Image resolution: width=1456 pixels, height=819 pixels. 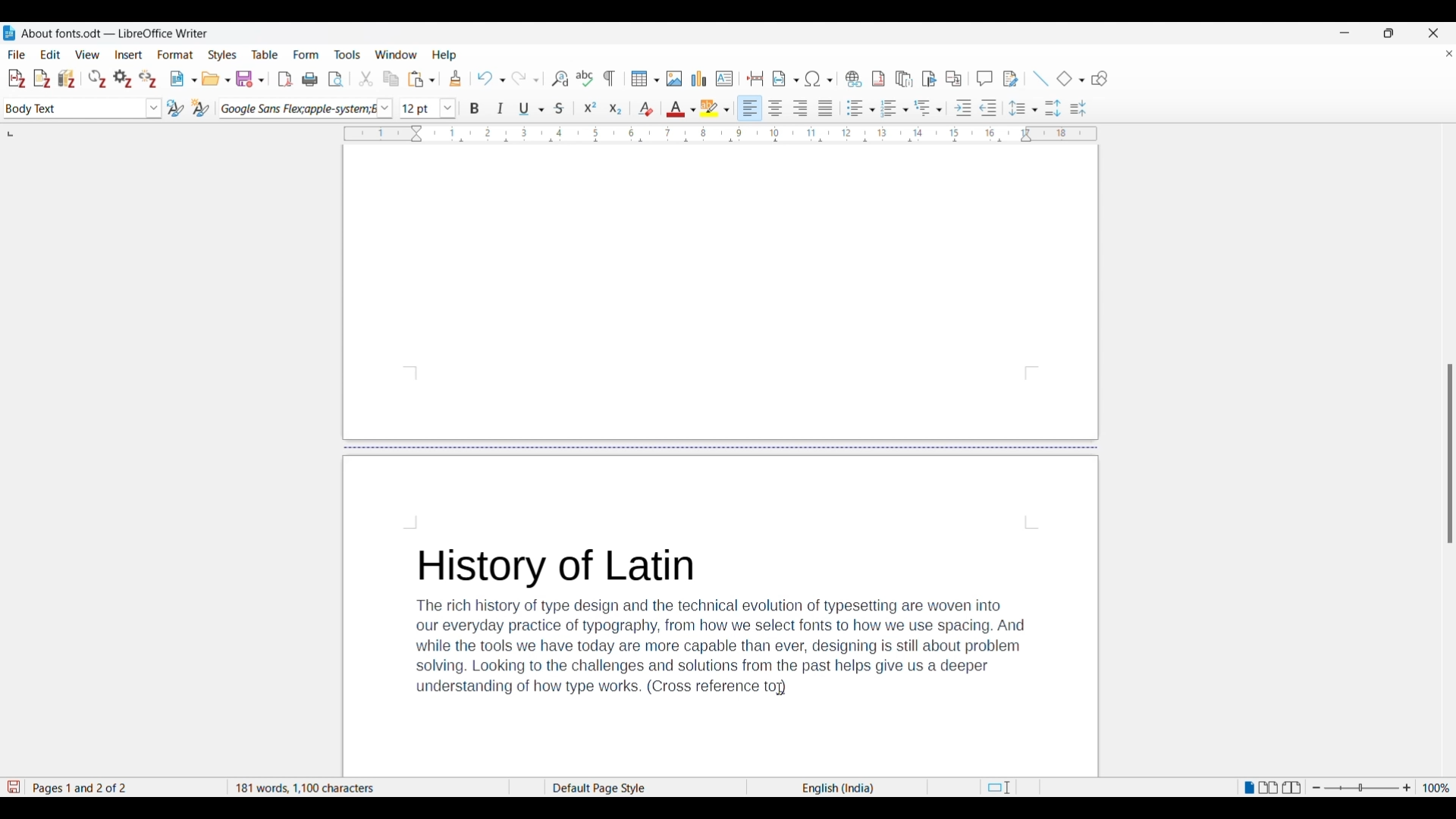 I want to click on Show track changes functions, so click(x=1010, y=79).